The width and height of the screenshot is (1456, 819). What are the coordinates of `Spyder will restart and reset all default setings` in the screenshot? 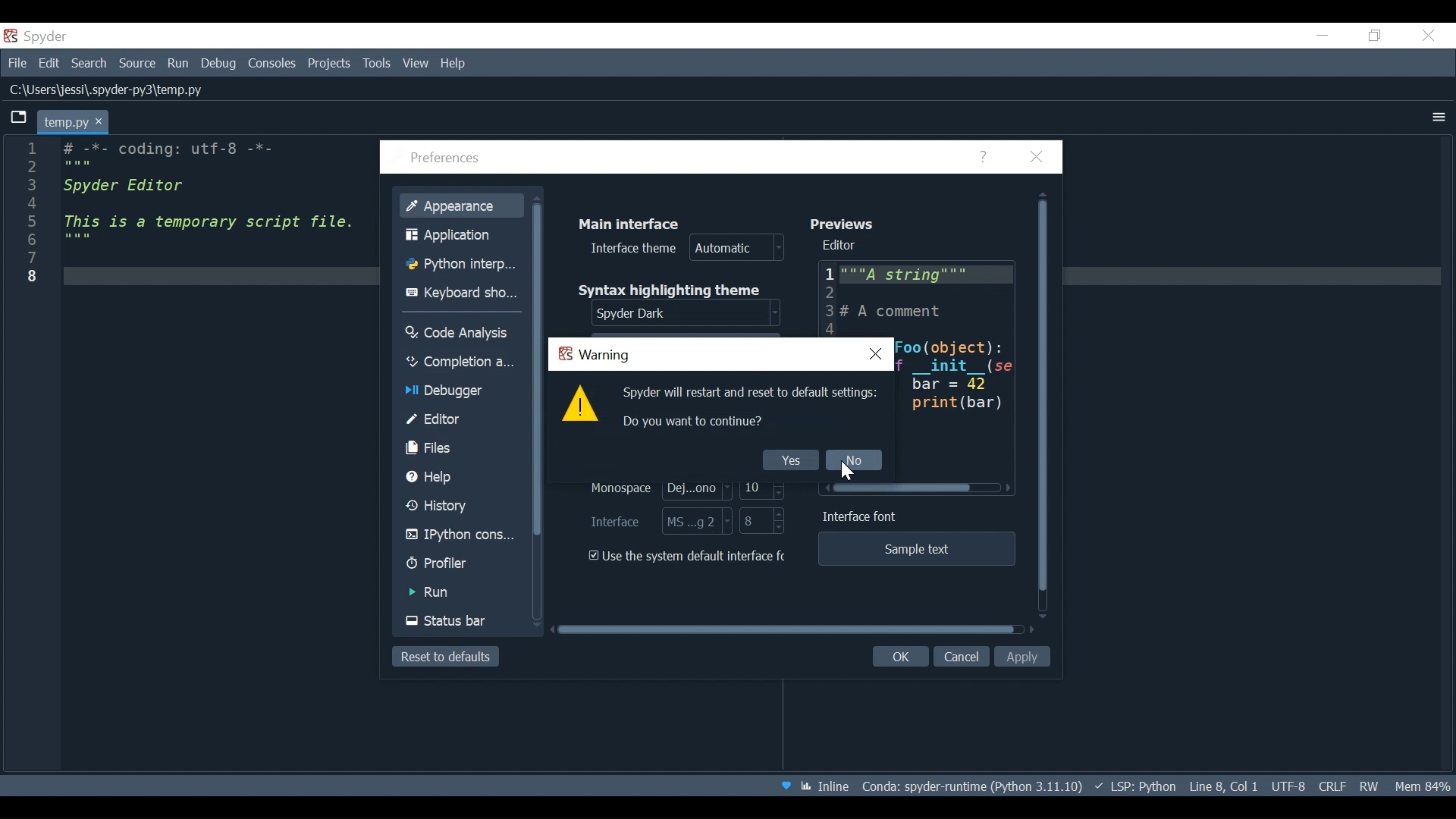 It's located at (752, 394).